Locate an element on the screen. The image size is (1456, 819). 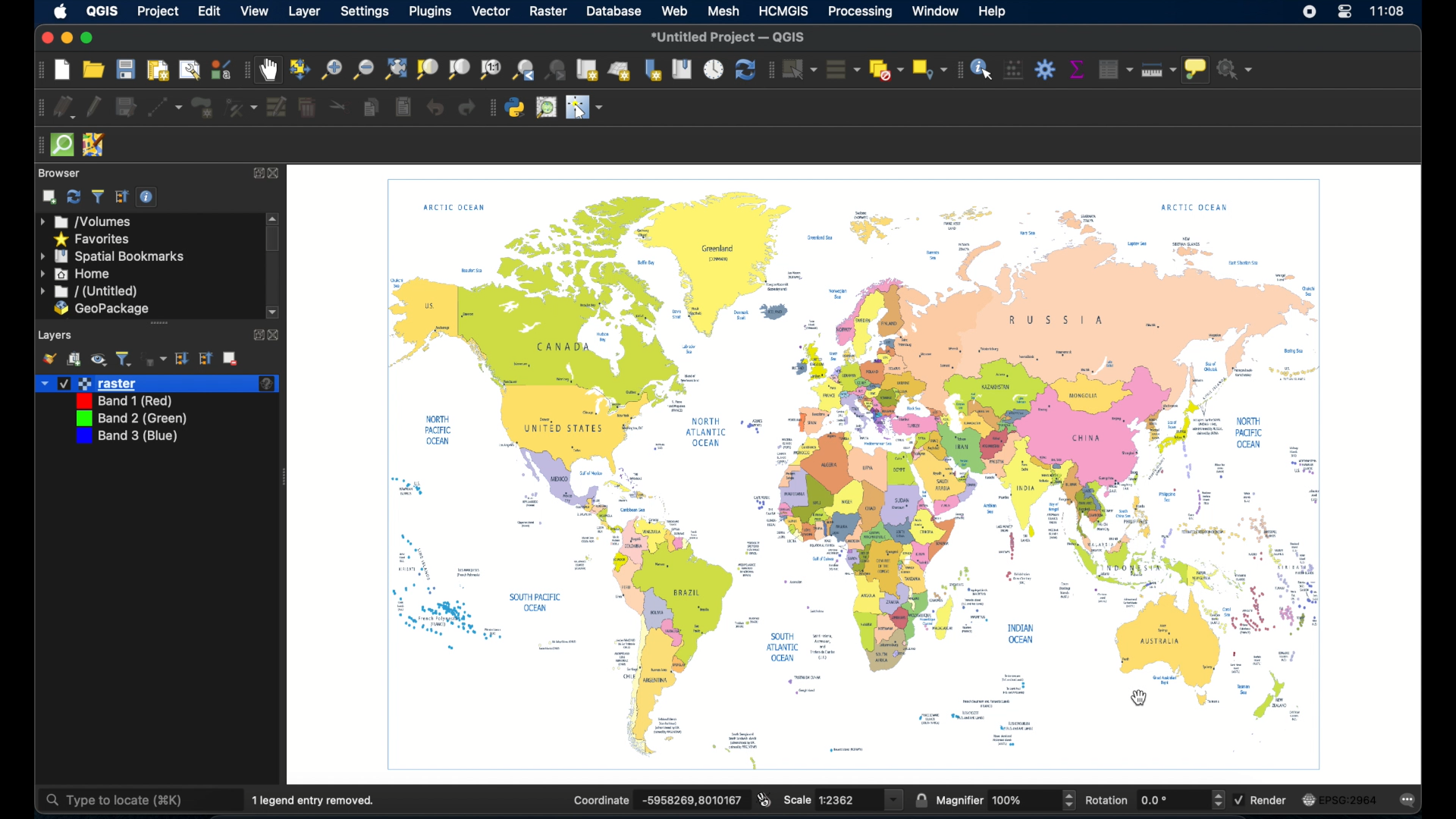
zoom full is located at coordinates (394, 68).